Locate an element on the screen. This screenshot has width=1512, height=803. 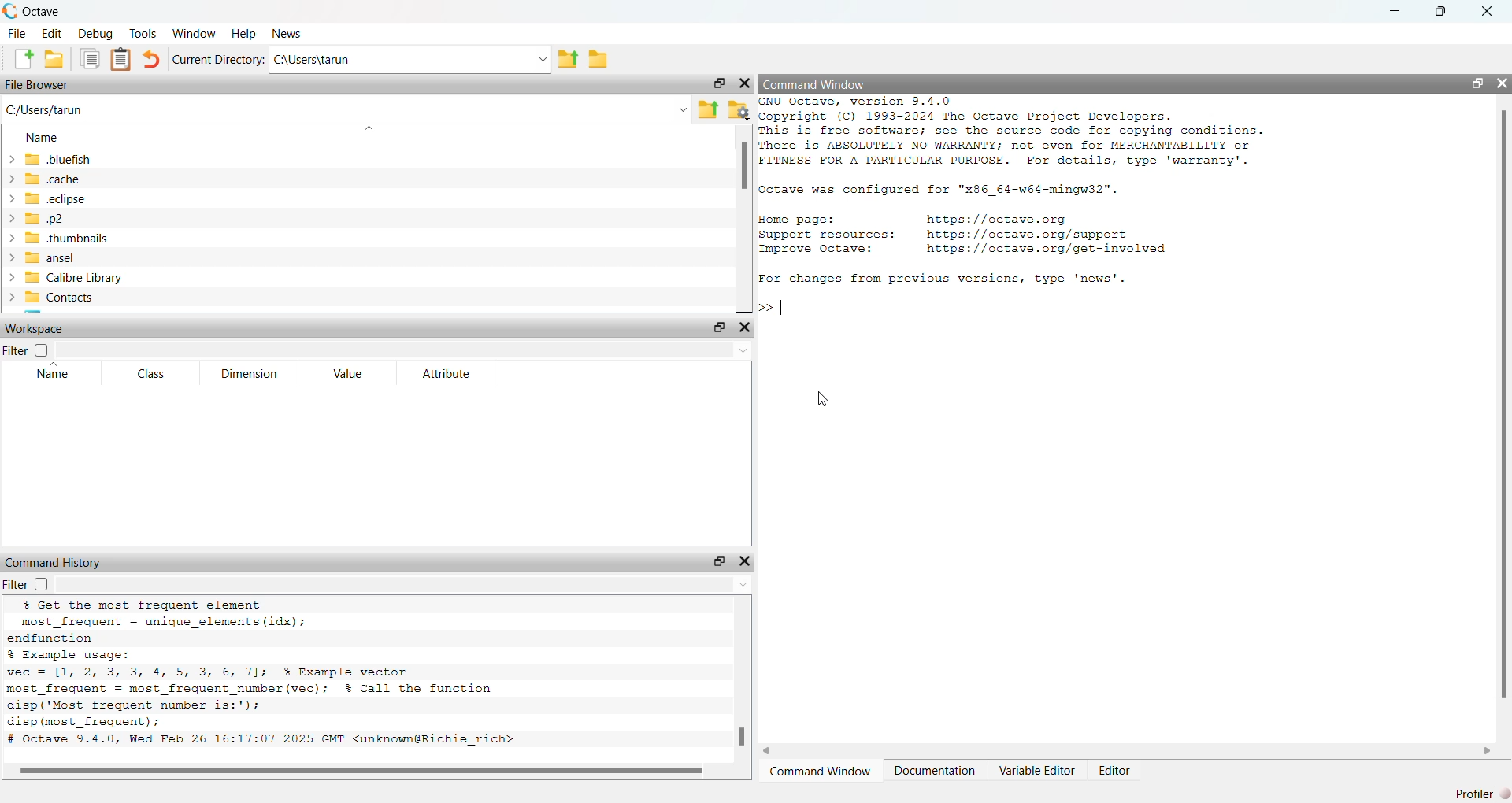
Variable Editor is located at coordinates (1038, 771).